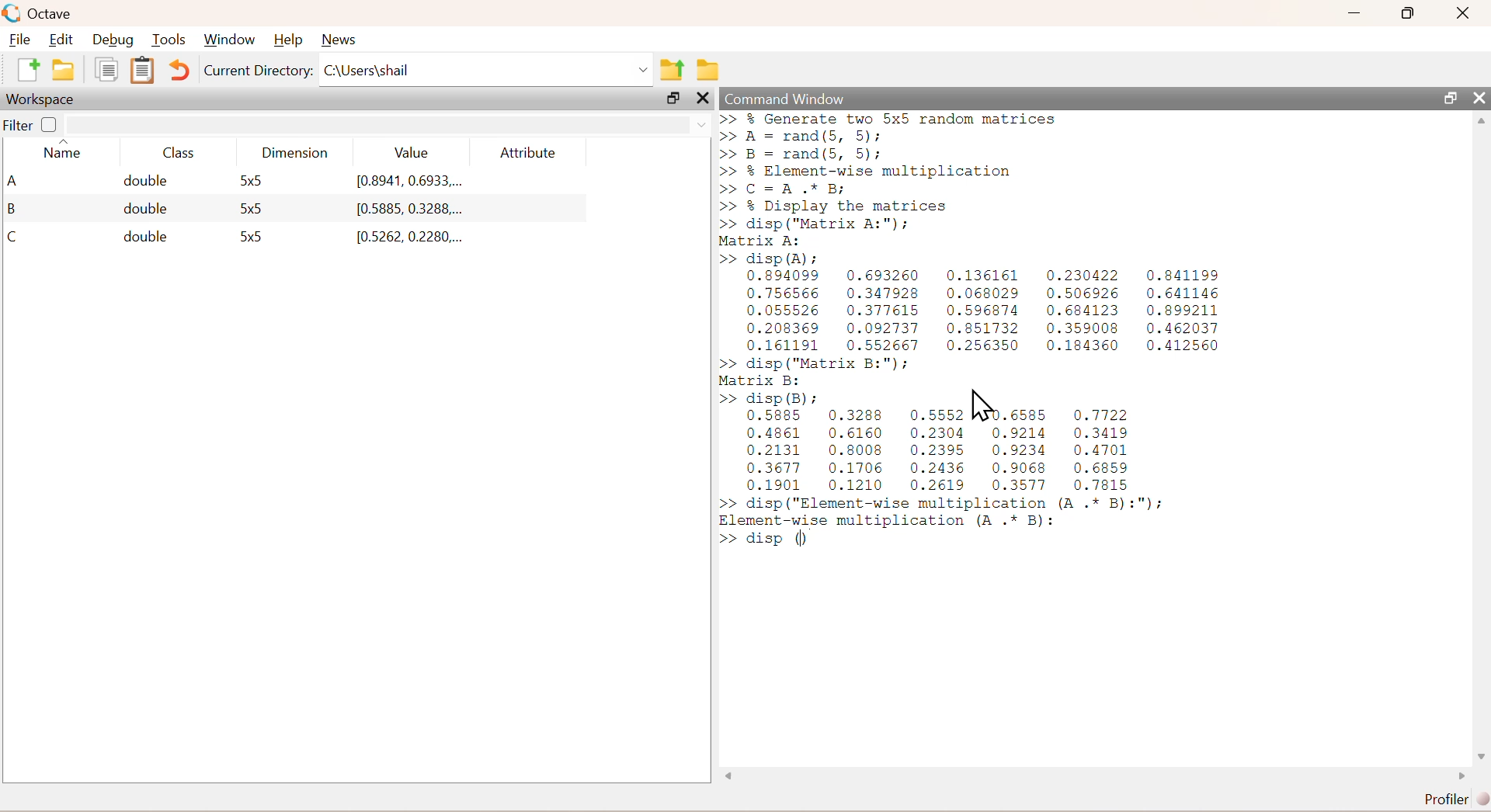 The image size is (1491, 812). Describe the element at coordinates (26, 73) in the screenshot. I see `New script` at that location.